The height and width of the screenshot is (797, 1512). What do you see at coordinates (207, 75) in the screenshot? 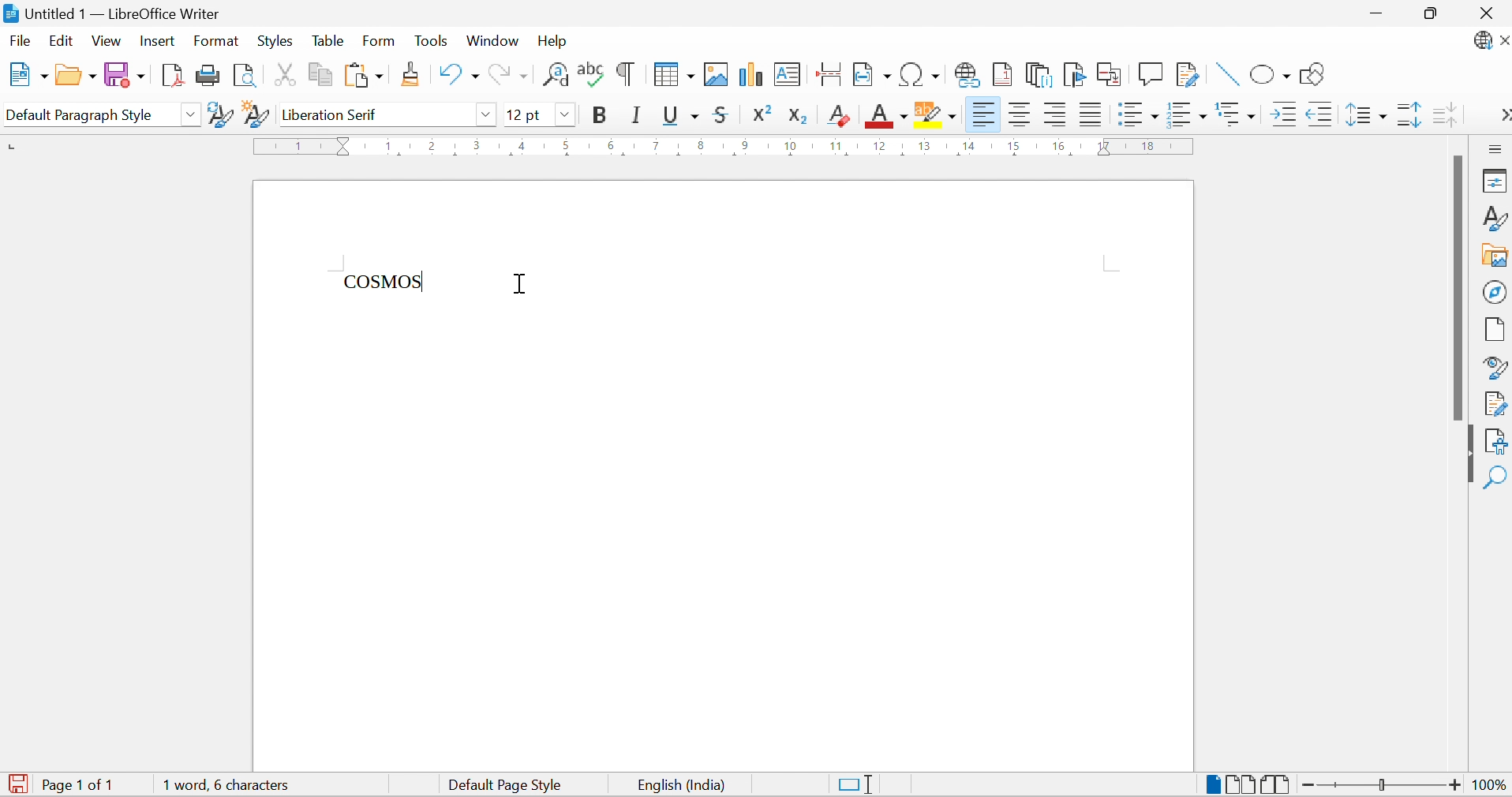
I see `Print` at bounding box center [207, 75].